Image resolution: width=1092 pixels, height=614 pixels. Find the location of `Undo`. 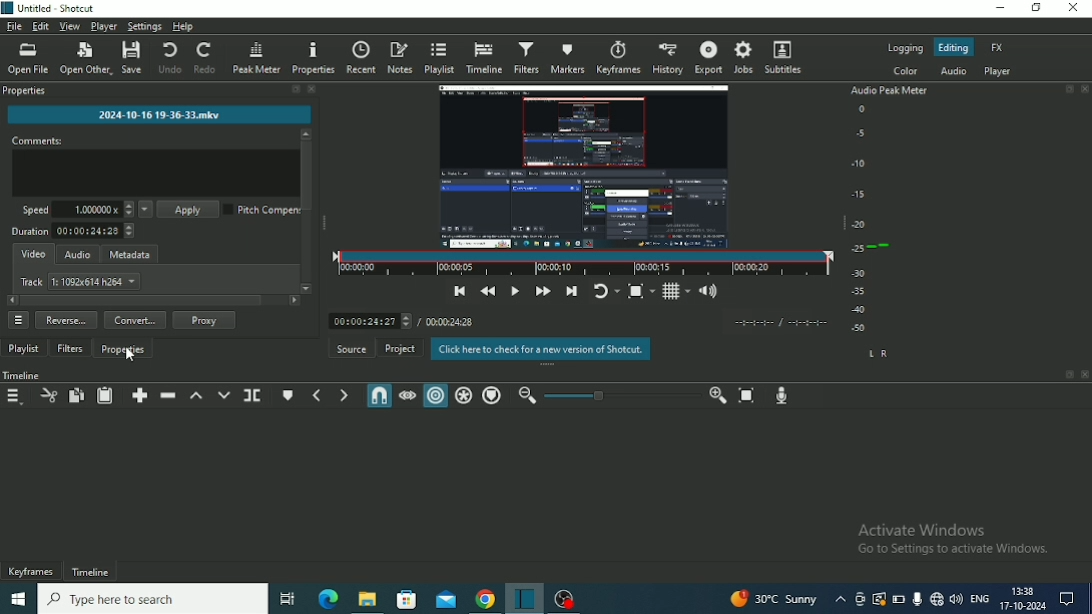

Undo is located at coordinates (169, 57).